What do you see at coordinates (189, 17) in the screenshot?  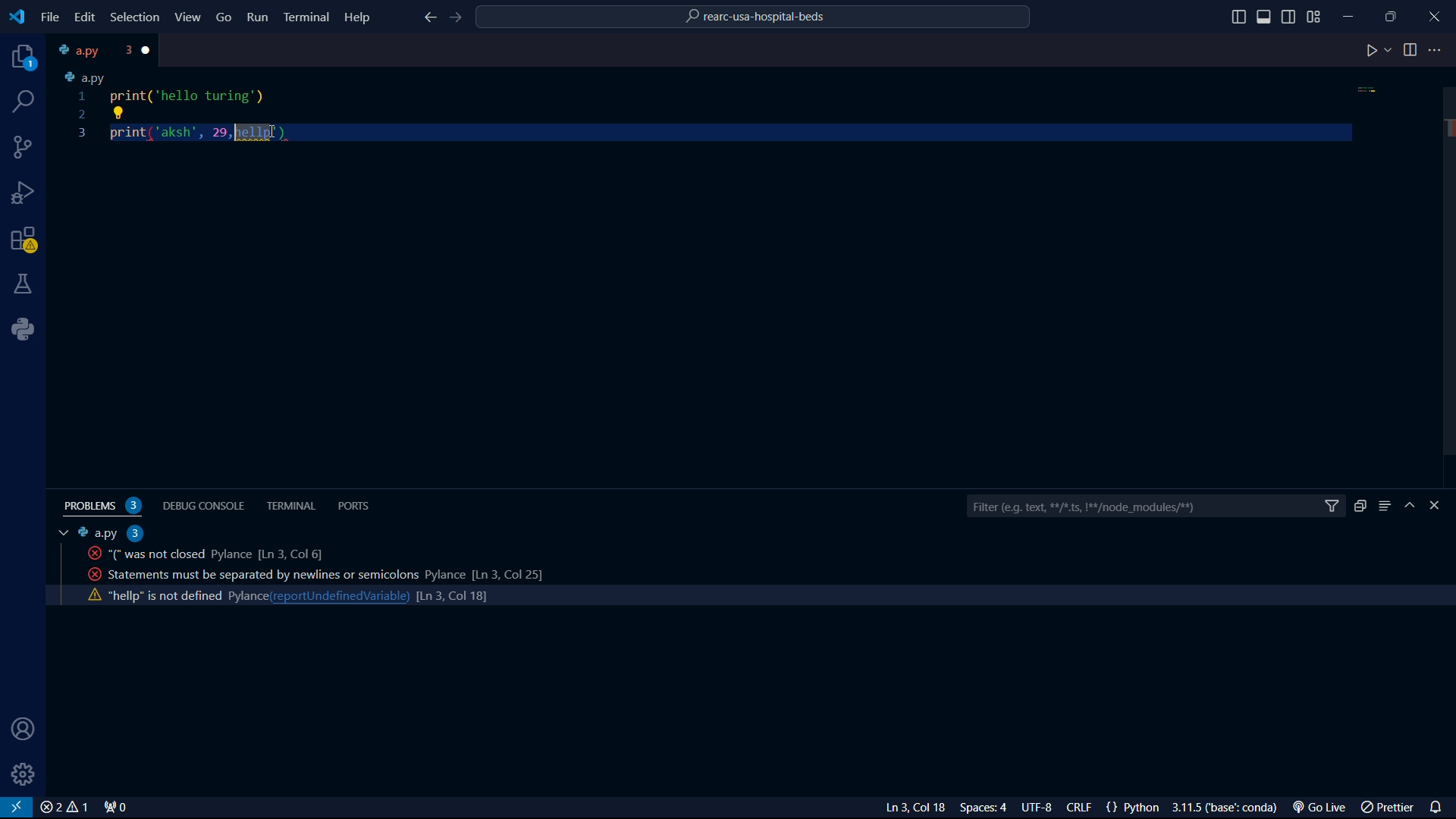 I see `View` at bounding box center [189, 17].